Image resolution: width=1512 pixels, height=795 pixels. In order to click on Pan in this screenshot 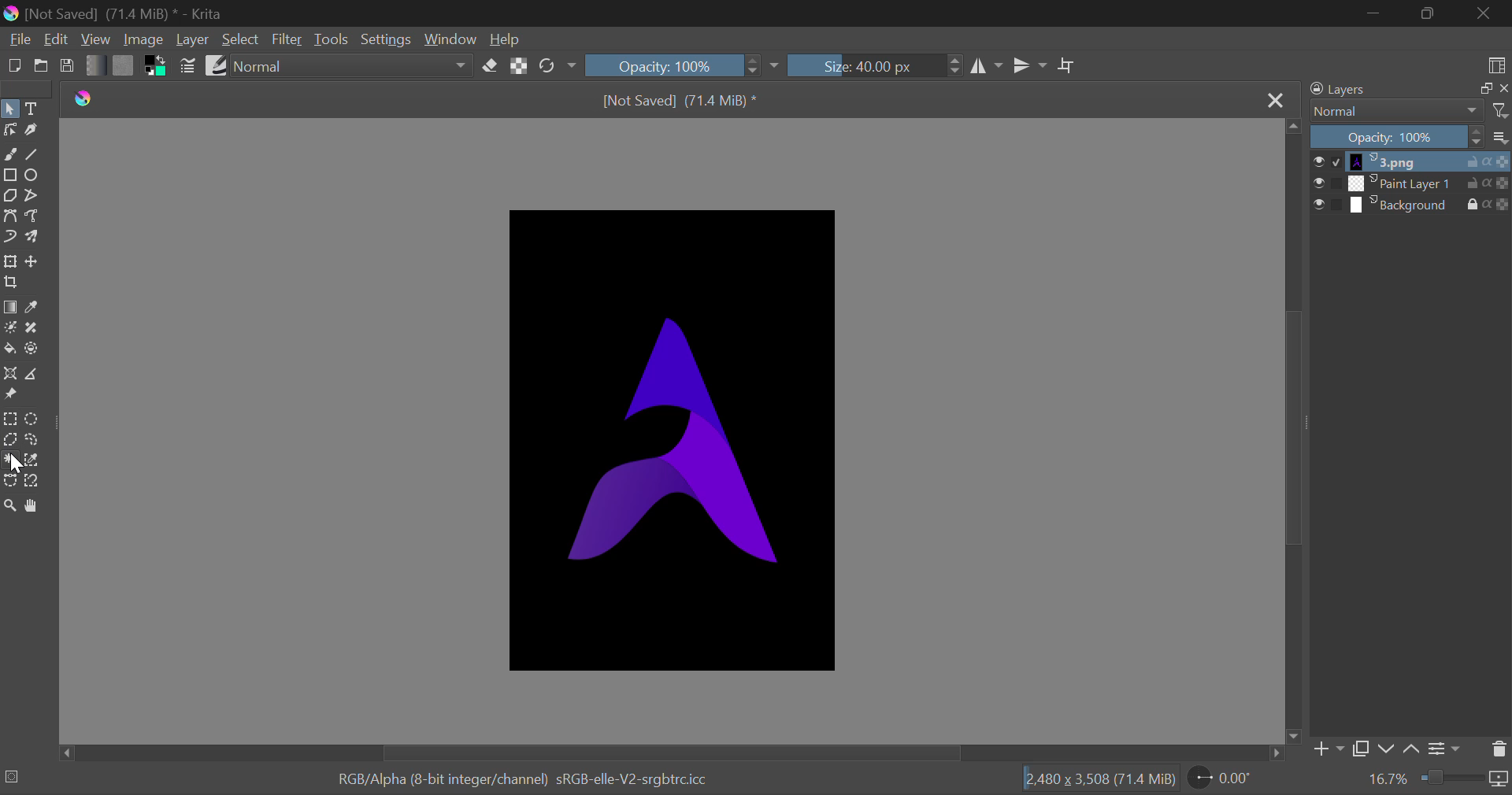, I will do `click(36, 505)`.